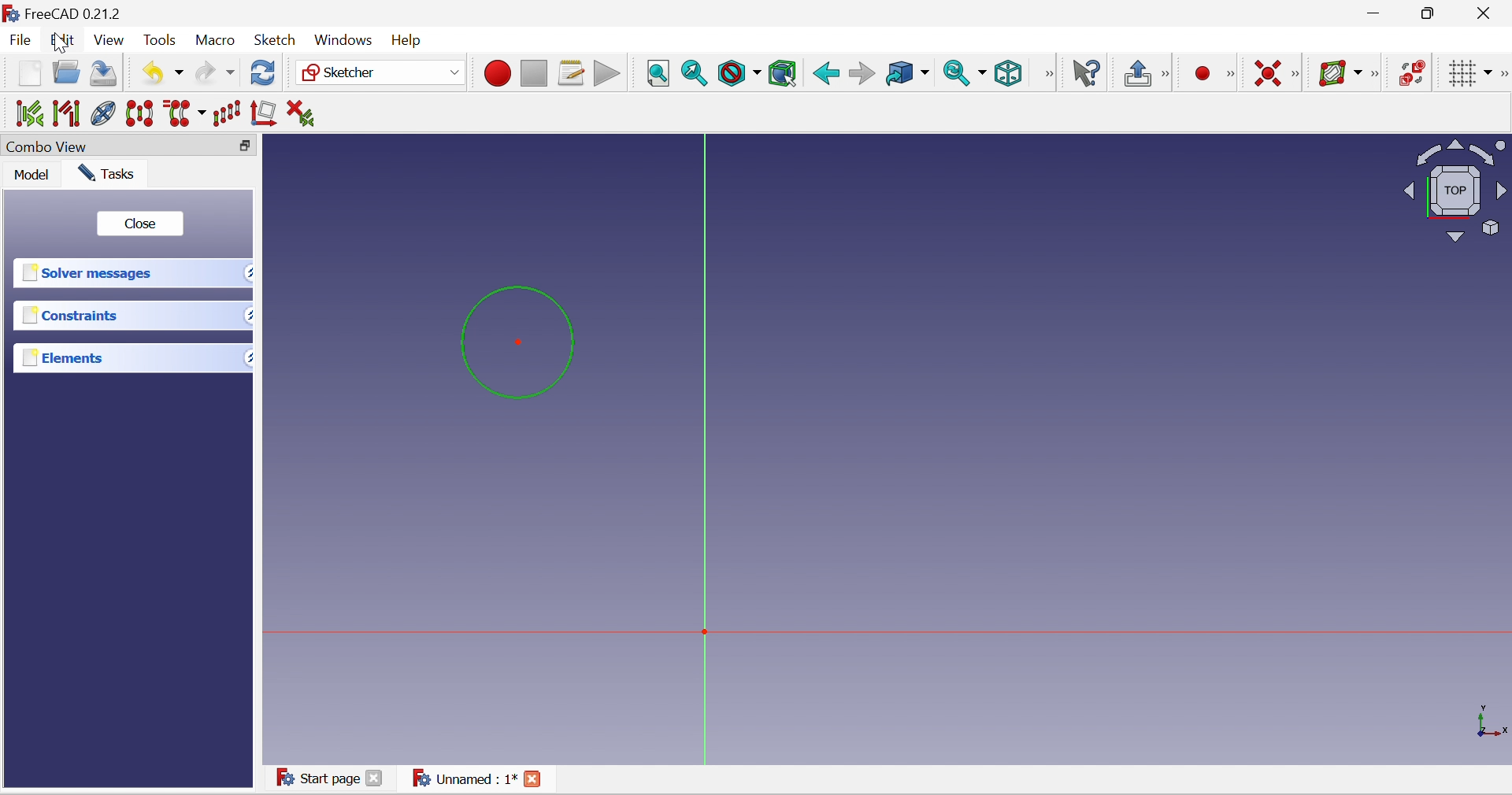  What do you see at coordinates (1487, 15) in the screenshot?
I see `Close` at bounding box center [1487, 15].